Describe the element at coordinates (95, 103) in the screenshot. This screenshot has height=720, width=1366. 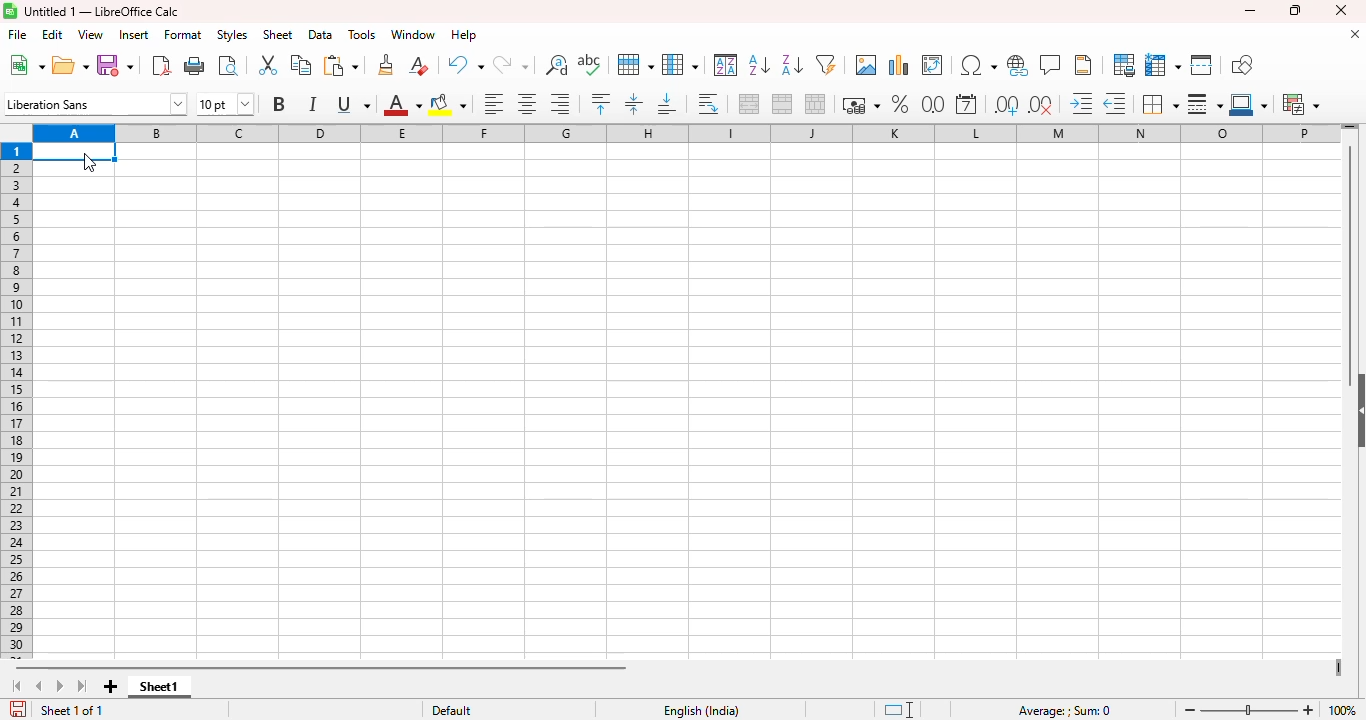
I see `font name` at that location.